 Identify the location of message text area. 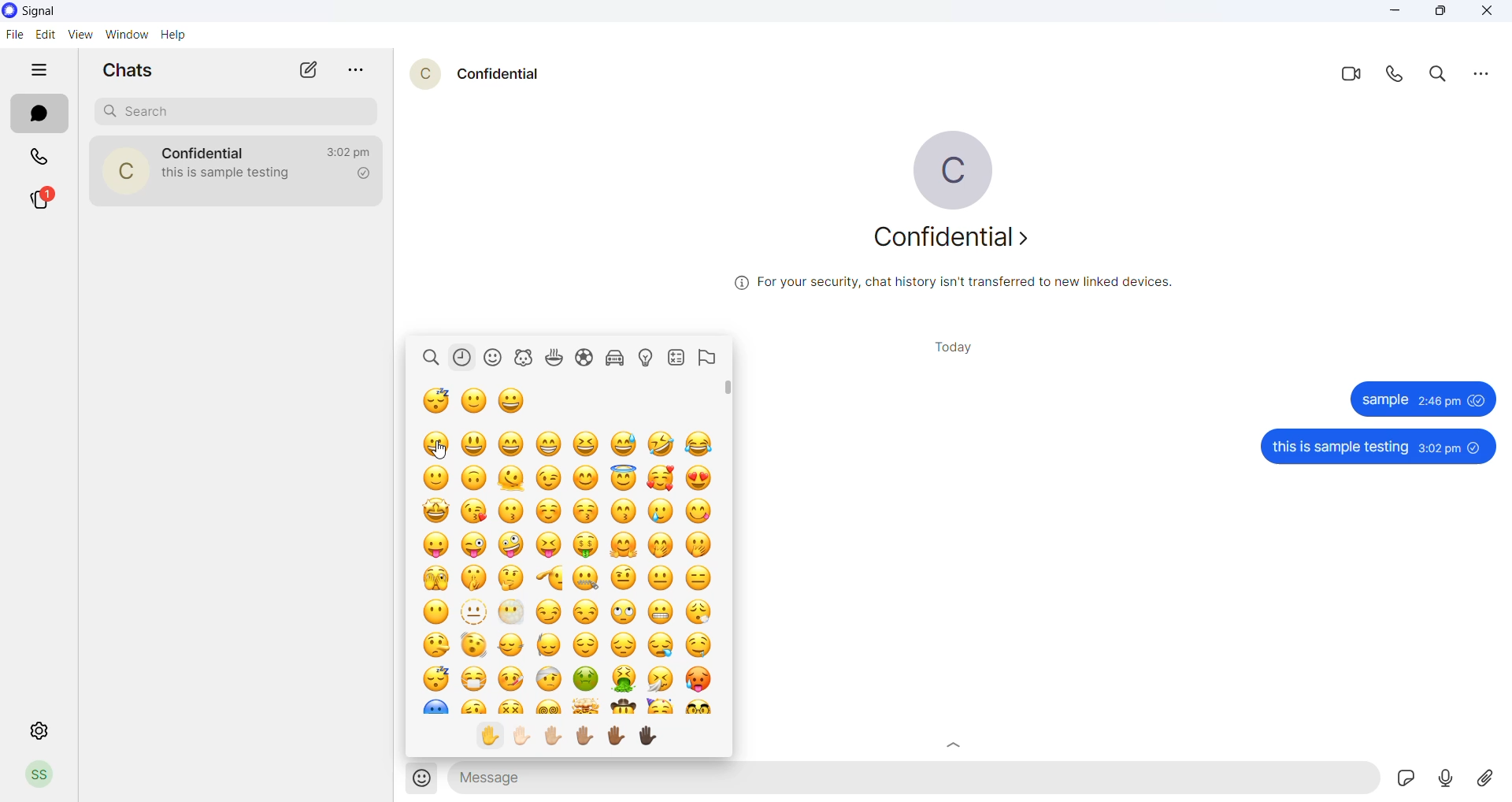
(915, 779).